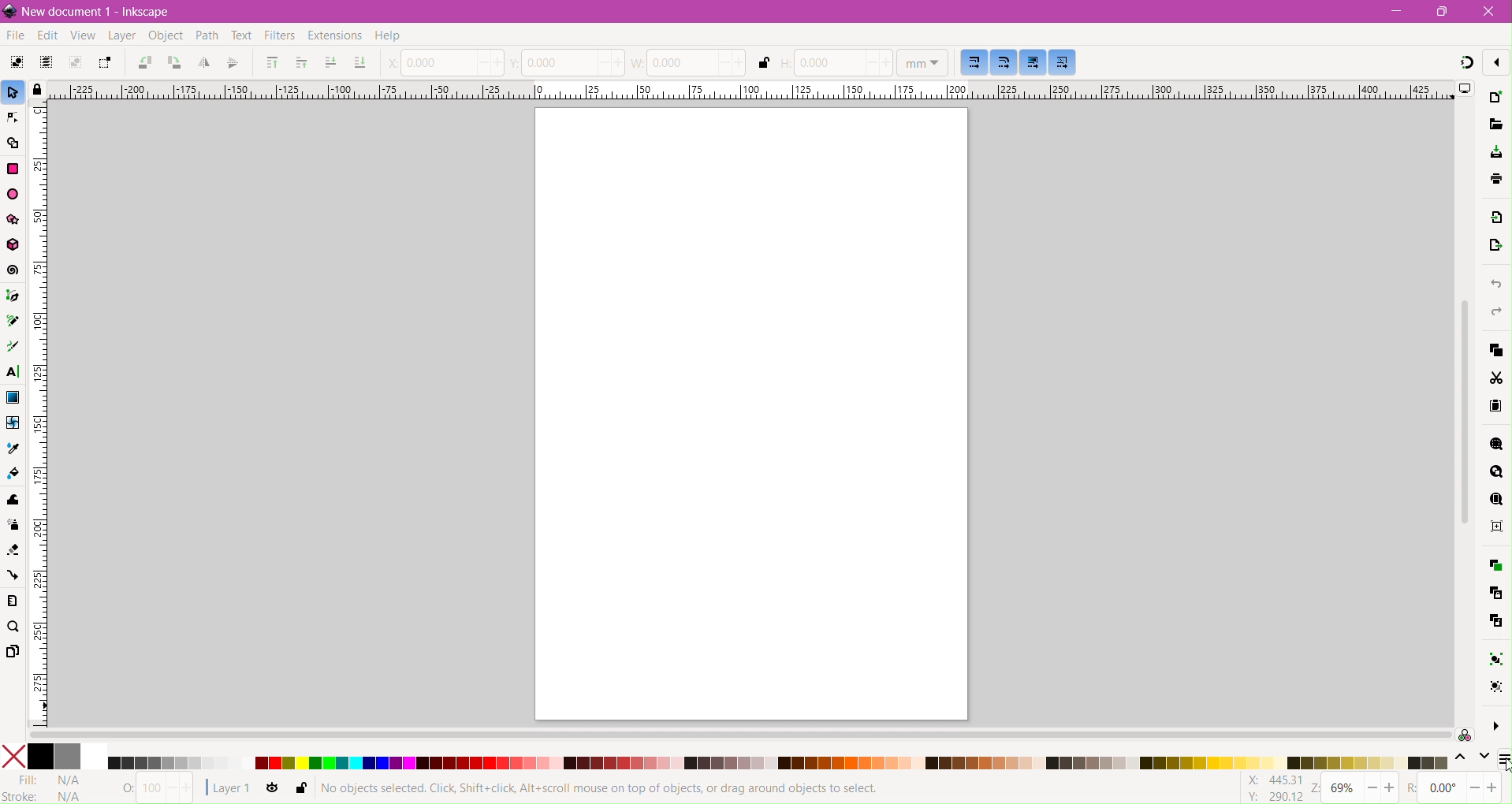 This screenshot has height=804, width=1512. I want to click on Color managed mode, so click(1465, 736).